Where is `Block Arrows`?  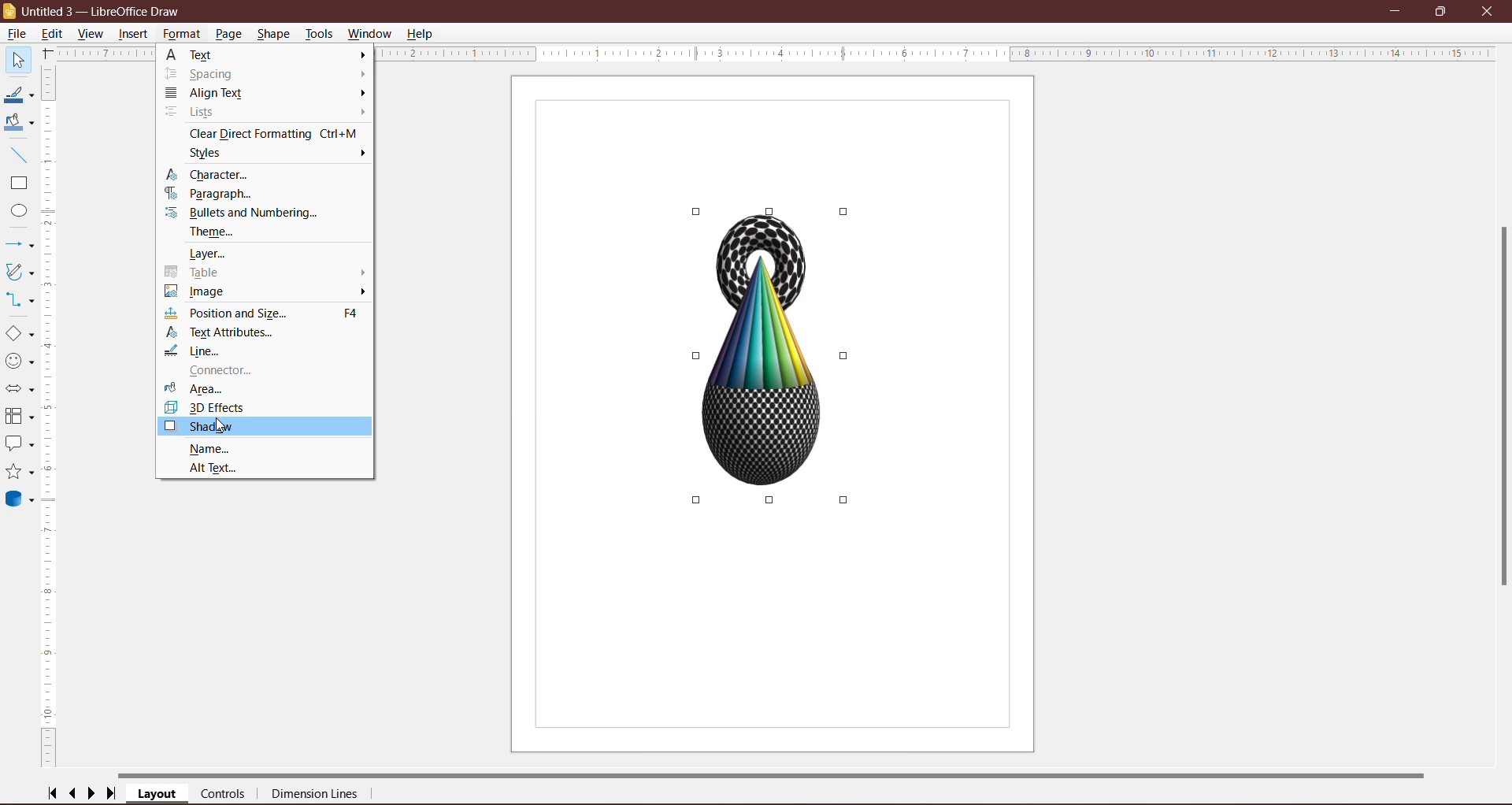
Block Arrows is located at coordinates (20, 388).